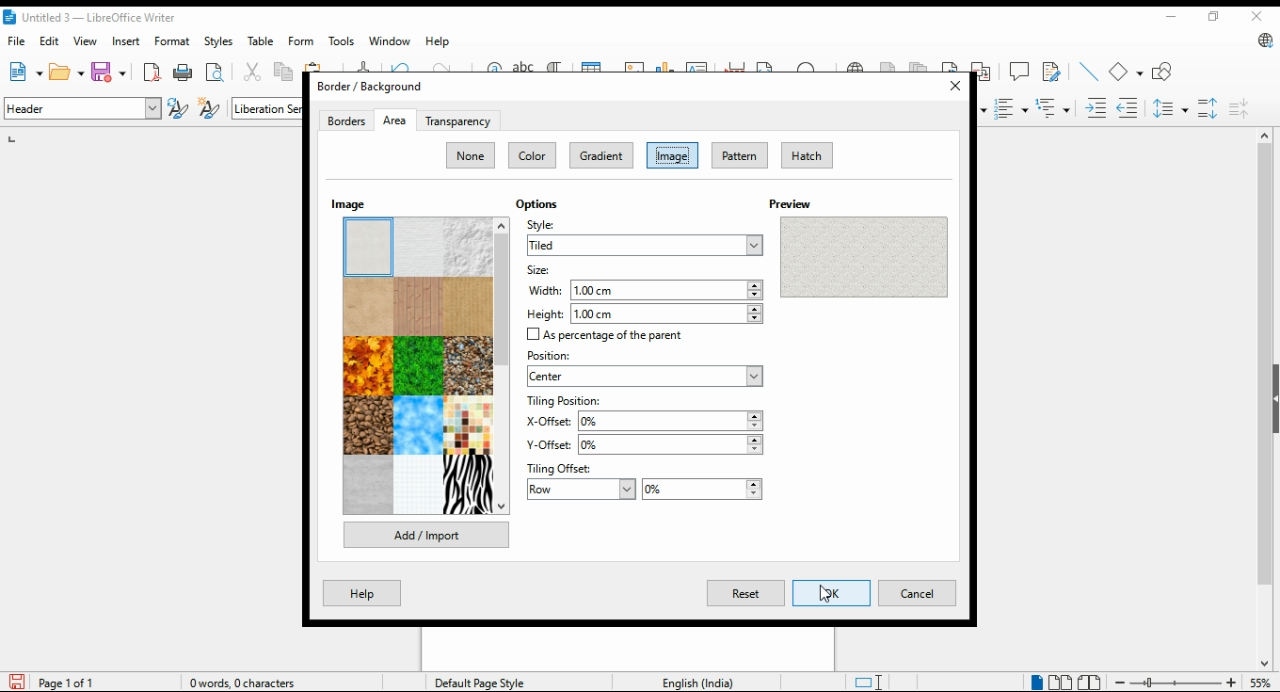  Describe the element at coordinates (646, 290) in the screenshot. I see `width` at that location.